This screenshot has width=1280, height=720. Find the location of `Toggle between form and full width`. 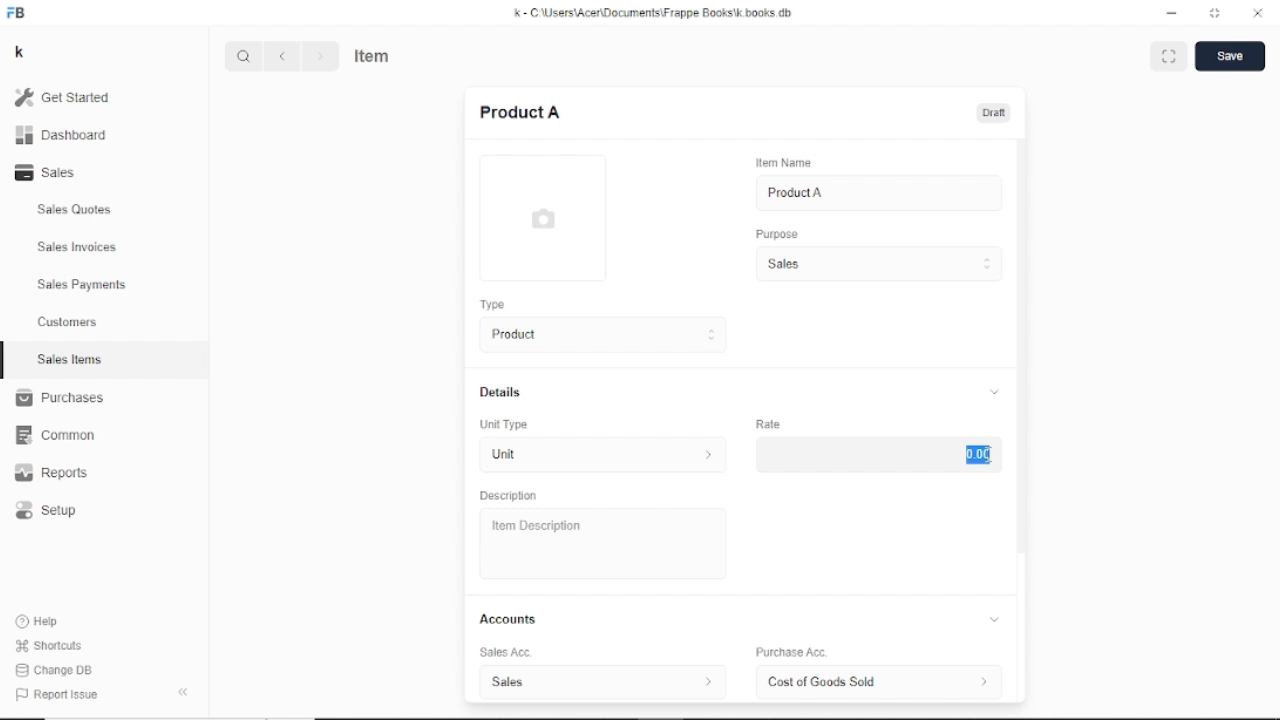

Toggle between form and full width is located at coordinates (1215, 12).